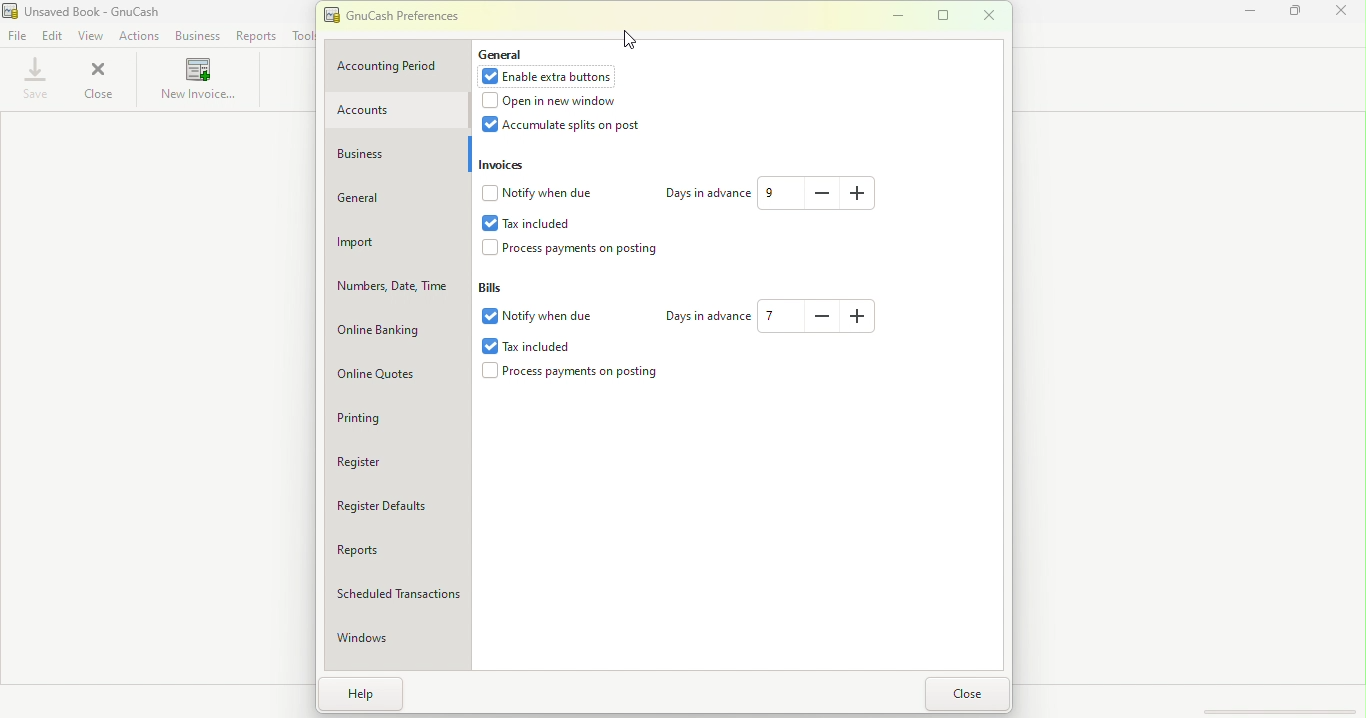  What do you see at coordinates (33, 80) in the screenshot?
I see `Save` at bounding box center [33, 80].